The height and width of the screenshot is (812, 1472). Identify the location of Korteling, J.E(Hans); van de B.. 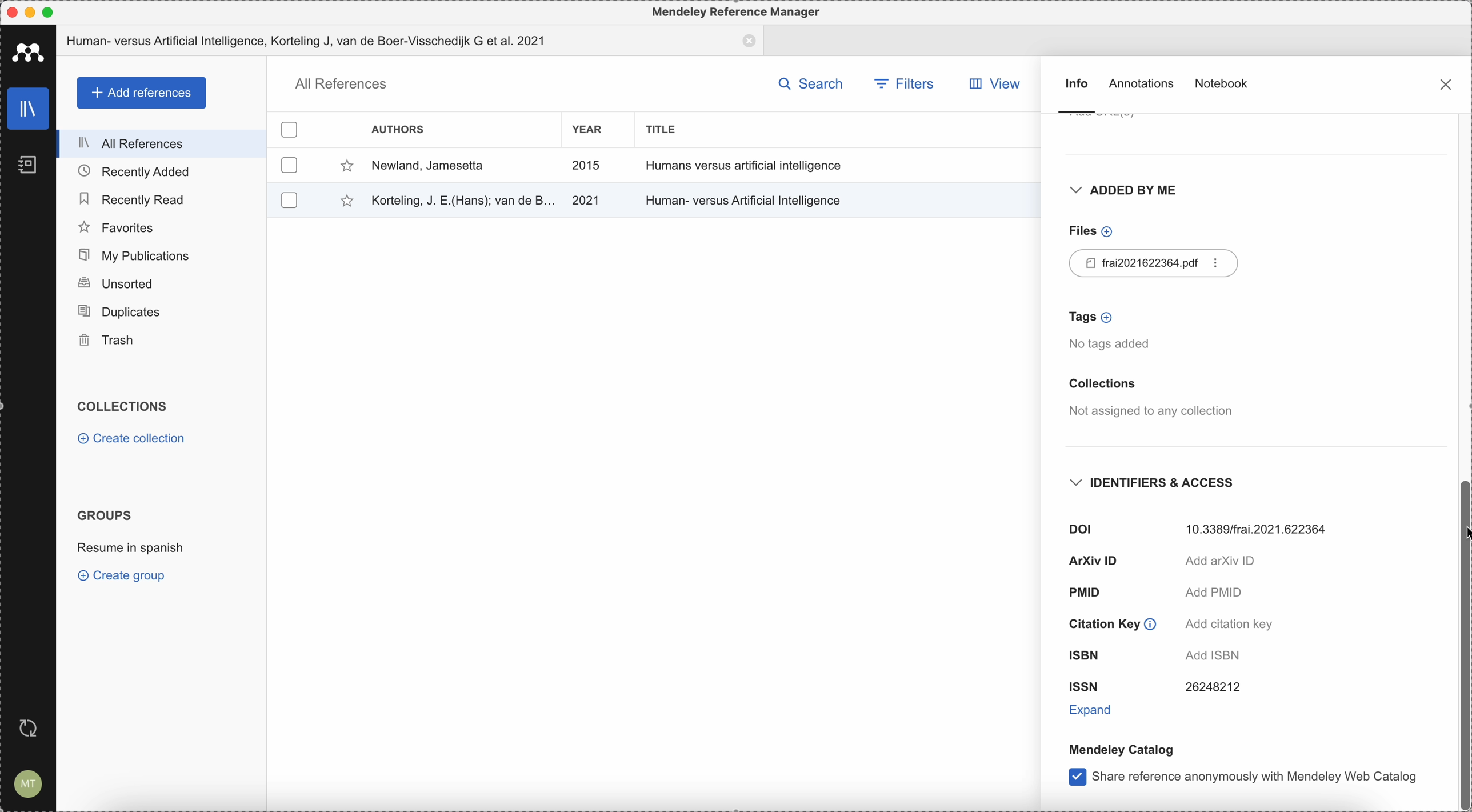
(461, 199).